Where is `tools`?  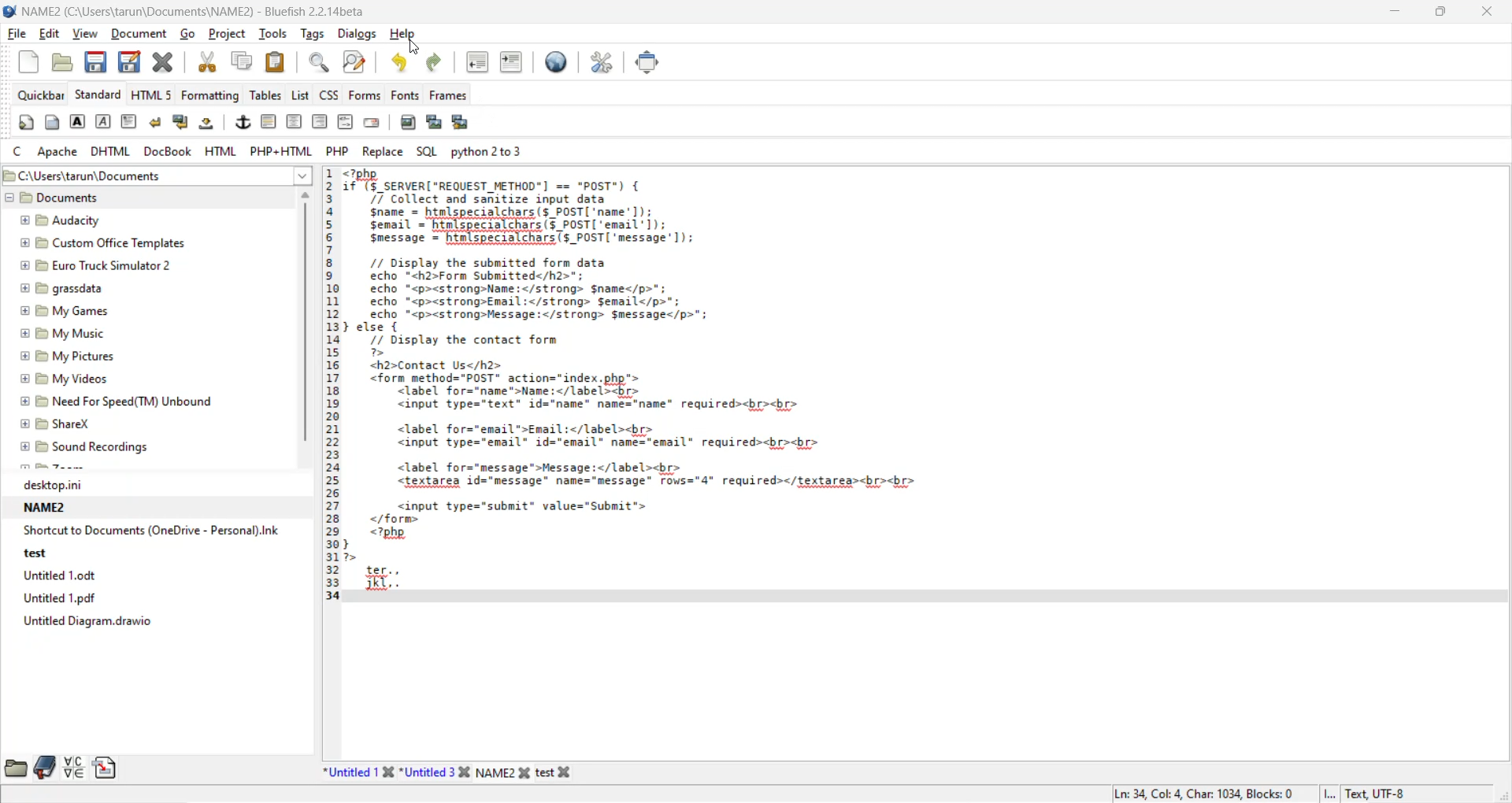 tools is located at coordinates (273, 34).